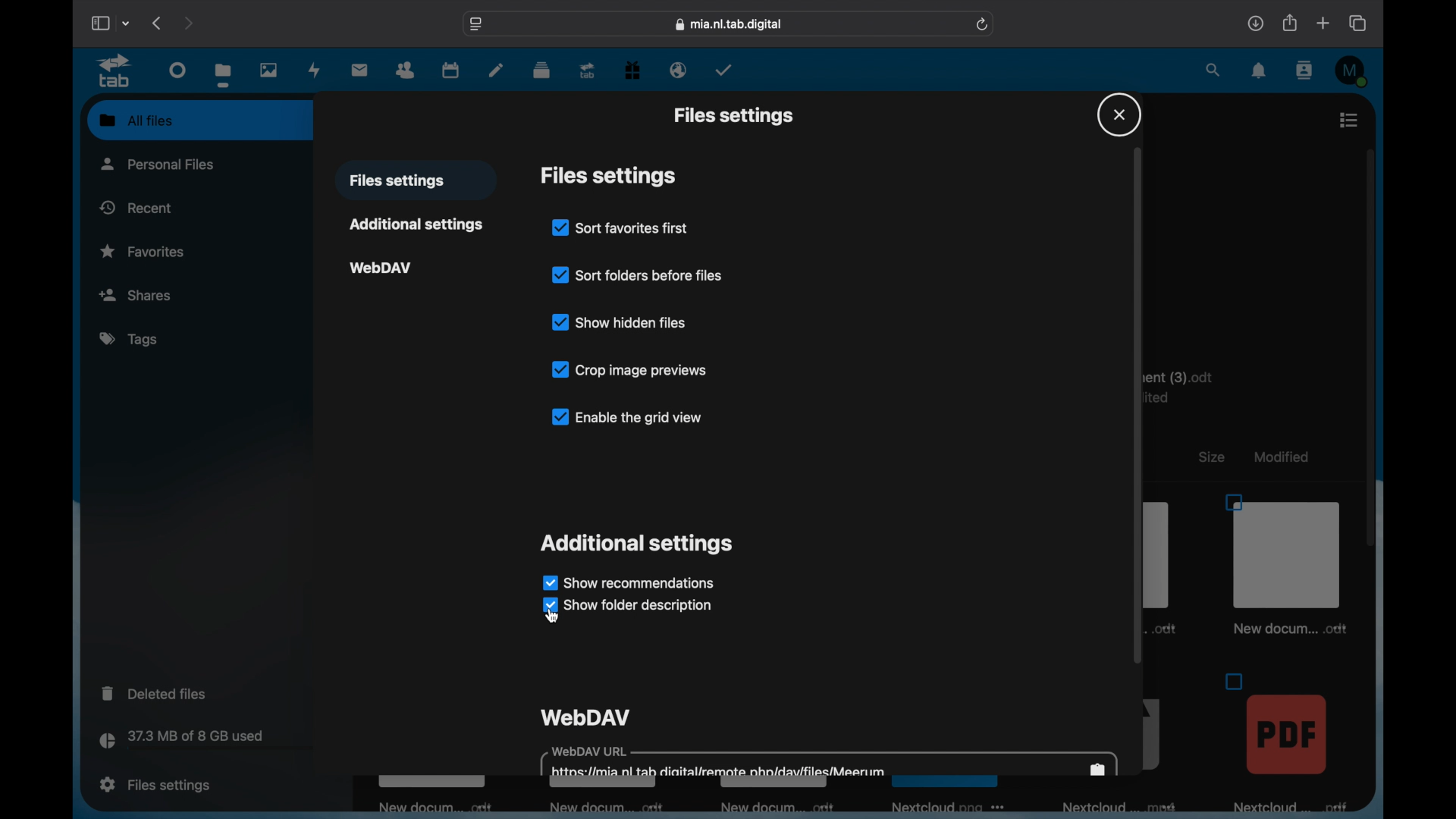  I want to click on scroll box, so click(1137, 404).